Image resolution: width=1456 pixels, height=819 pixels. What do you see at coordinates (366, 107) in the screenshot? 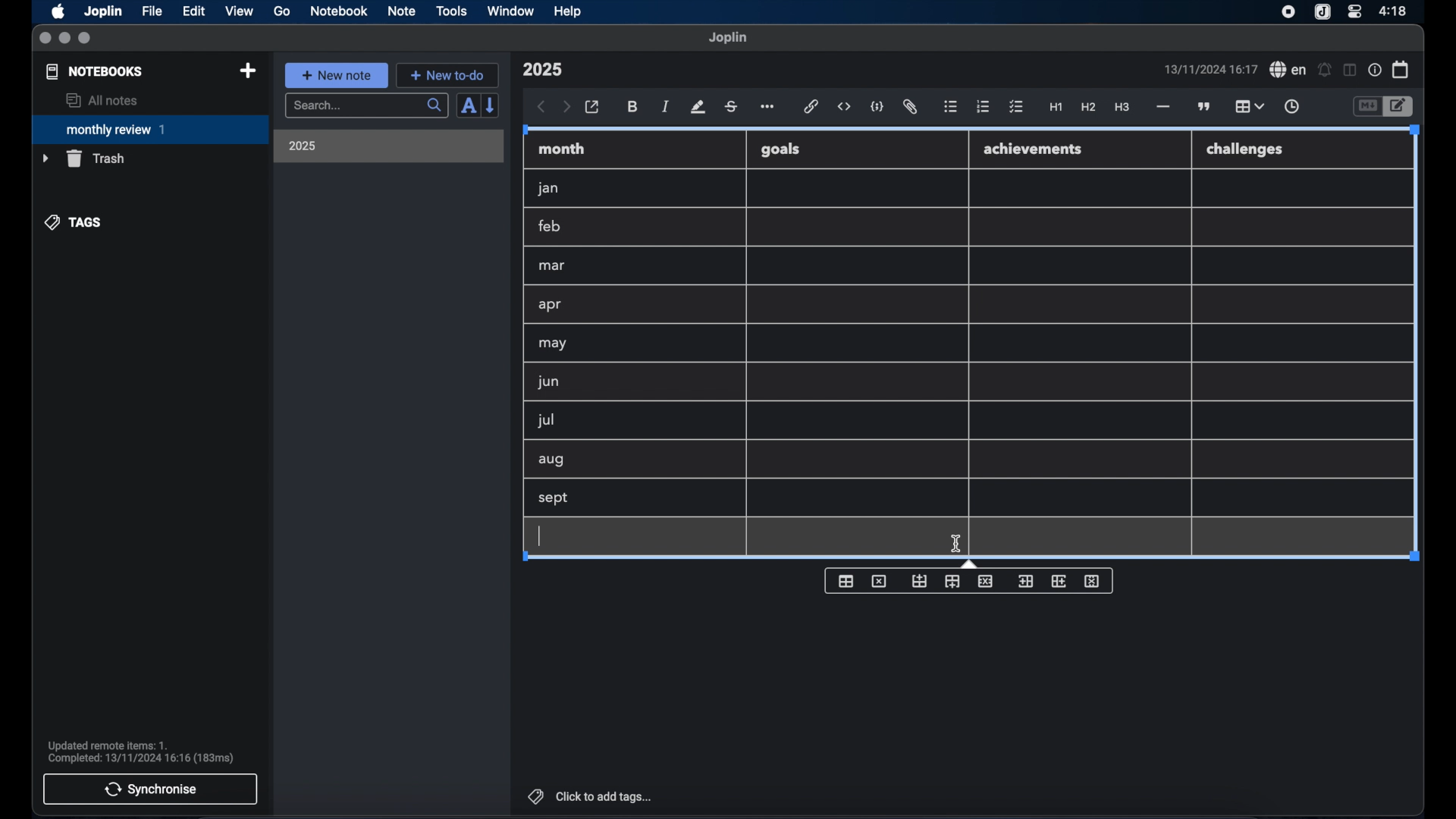
I see `search bar` at bounding box center [366, 107].